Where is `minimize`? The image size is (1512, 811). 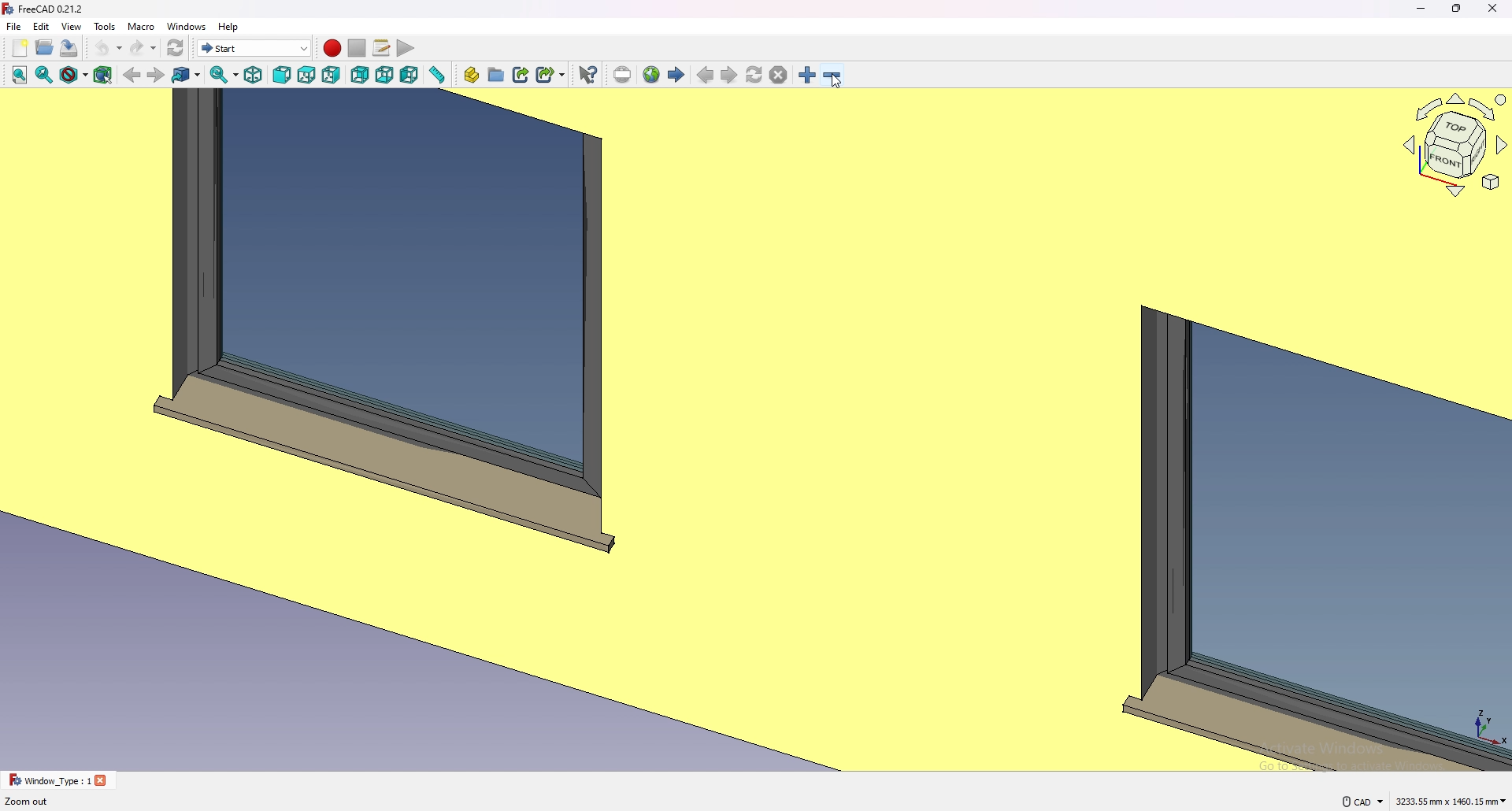
minimize is located at coordinates (1422, 9).